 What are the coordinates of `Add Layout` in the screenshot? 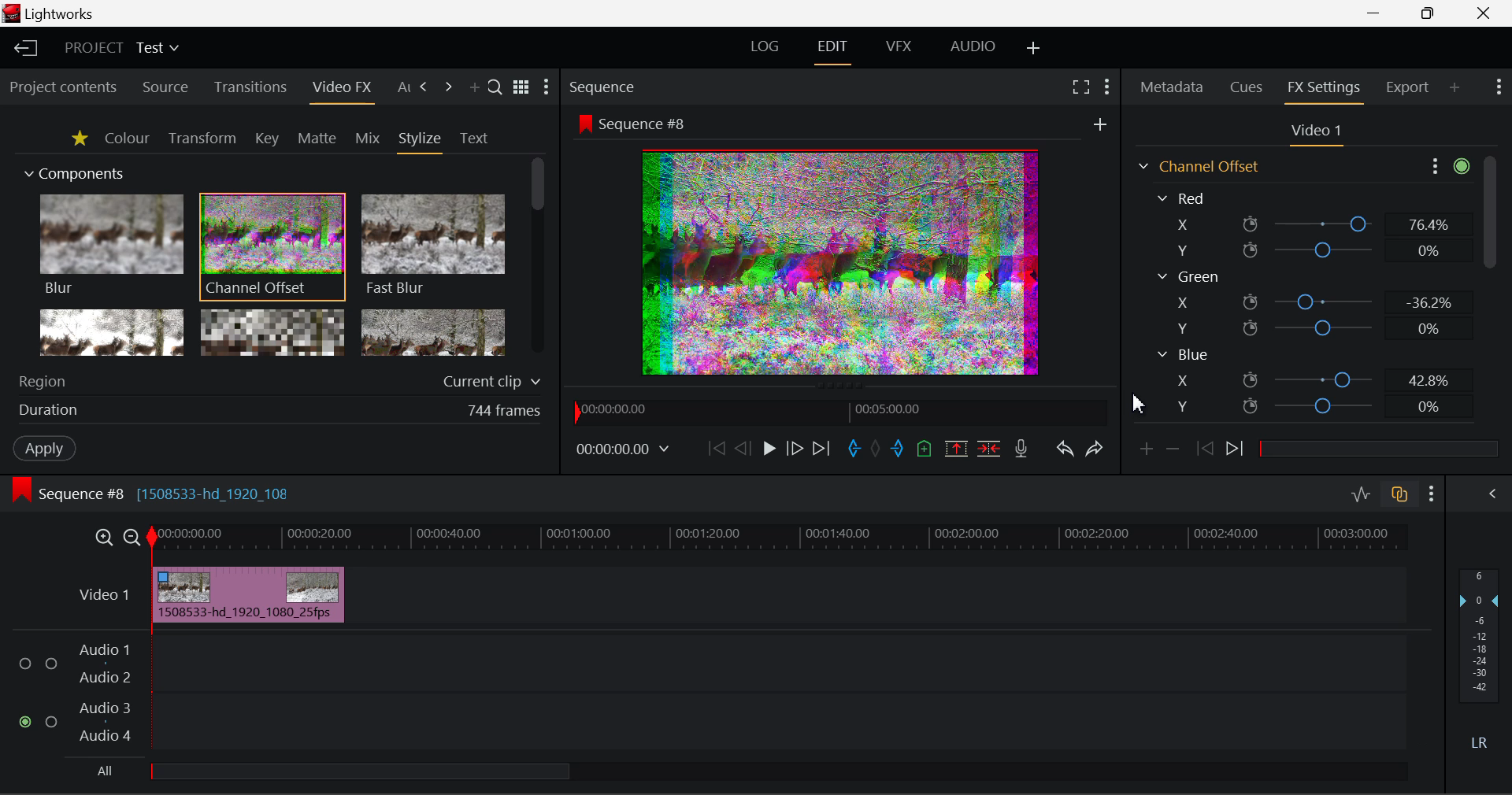 It's located at (1034, 51).